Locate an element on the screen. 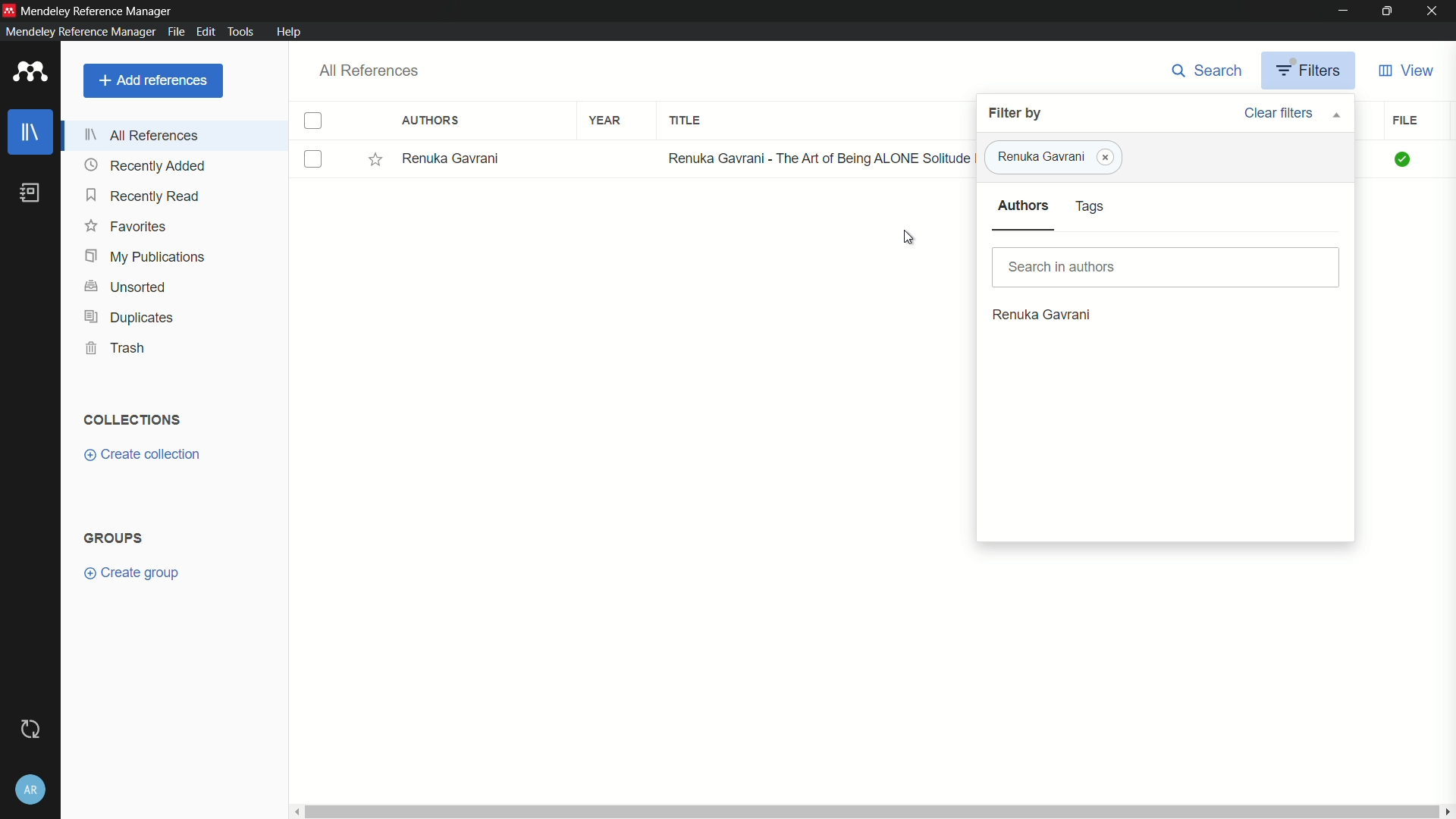 The height and width of the screenshot is (819, 1456). favorites is located at coordinates (128, 226).